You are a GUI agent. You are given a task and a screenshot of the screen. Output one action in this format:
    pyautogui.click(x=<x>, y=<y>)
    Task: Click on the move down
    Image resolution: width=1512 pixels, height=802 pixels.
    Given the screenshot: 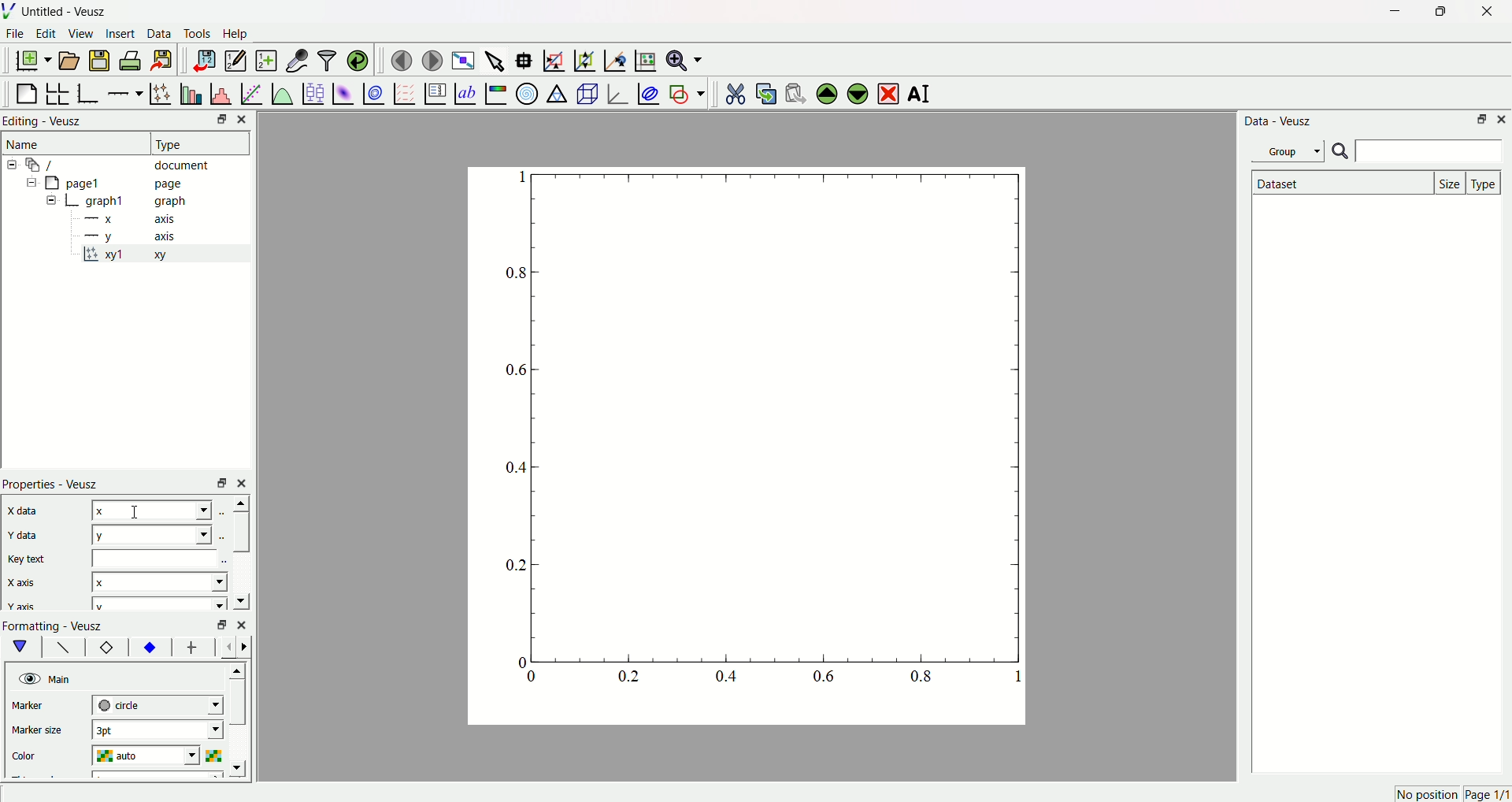 What is the action you would take?
    pyautogui.click(x=241, y=768)
    